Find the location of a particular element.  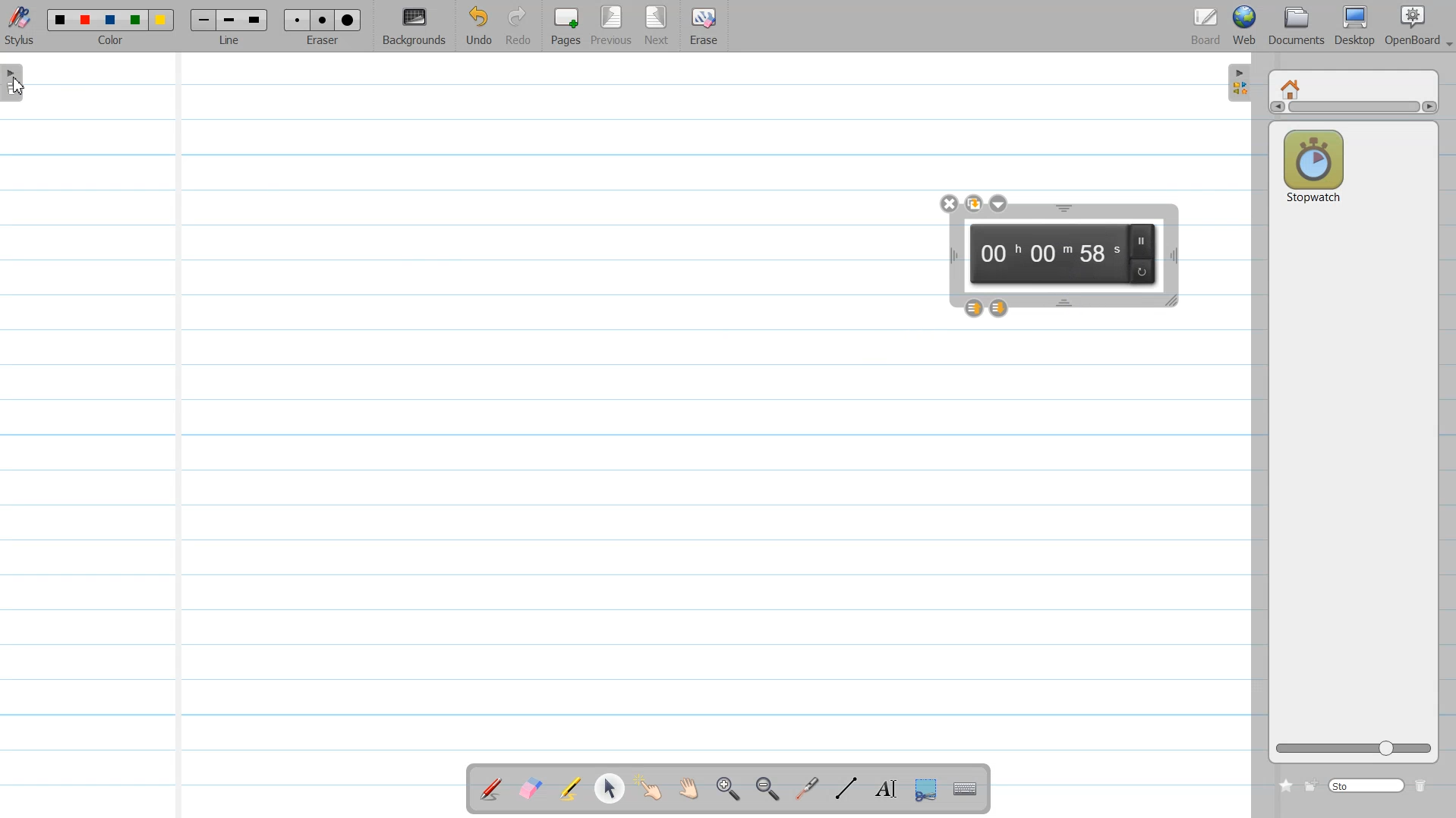

reload is located at coordinates (1143, 271).